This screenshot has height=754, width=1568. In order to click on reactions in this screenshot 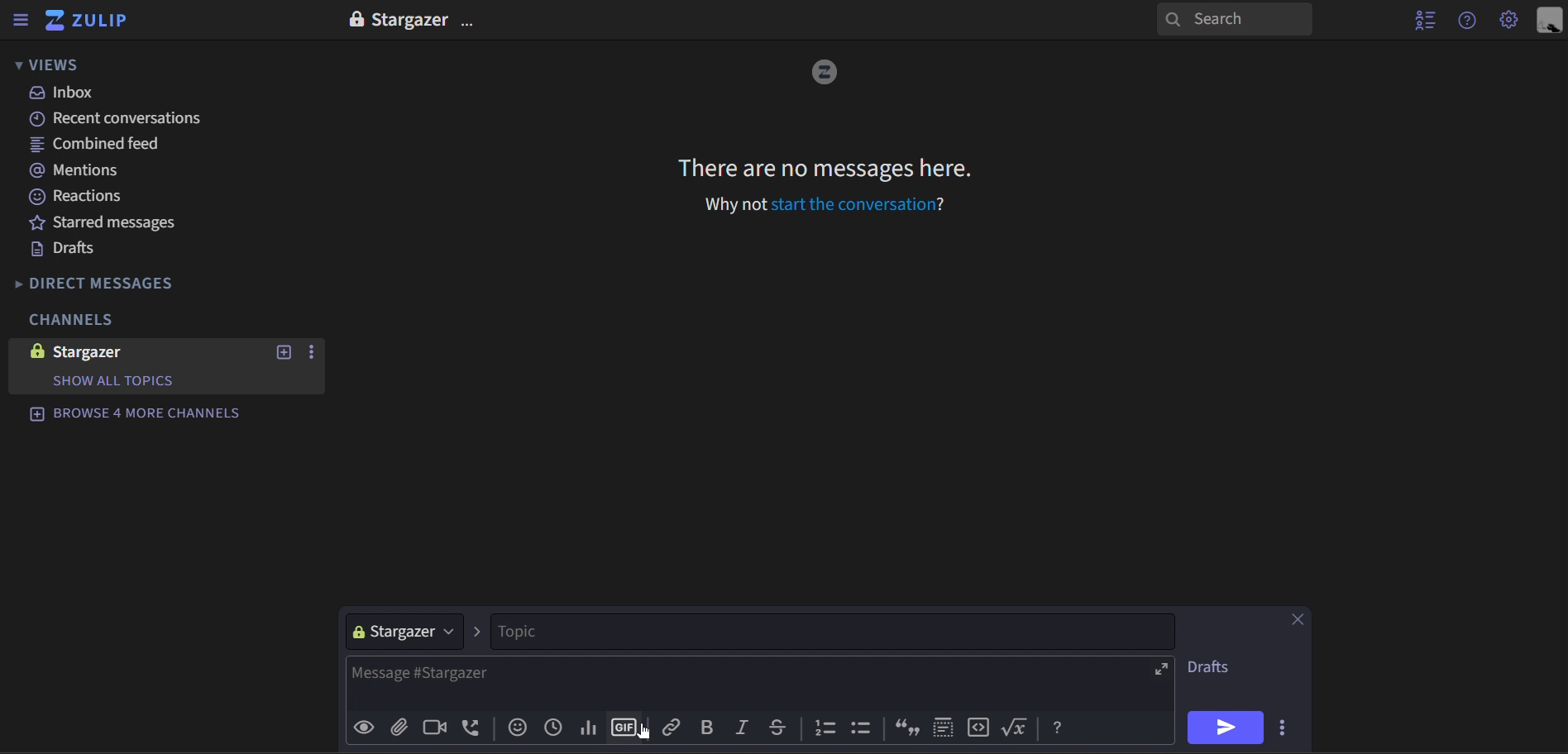, I will do `click(117, 198)`.